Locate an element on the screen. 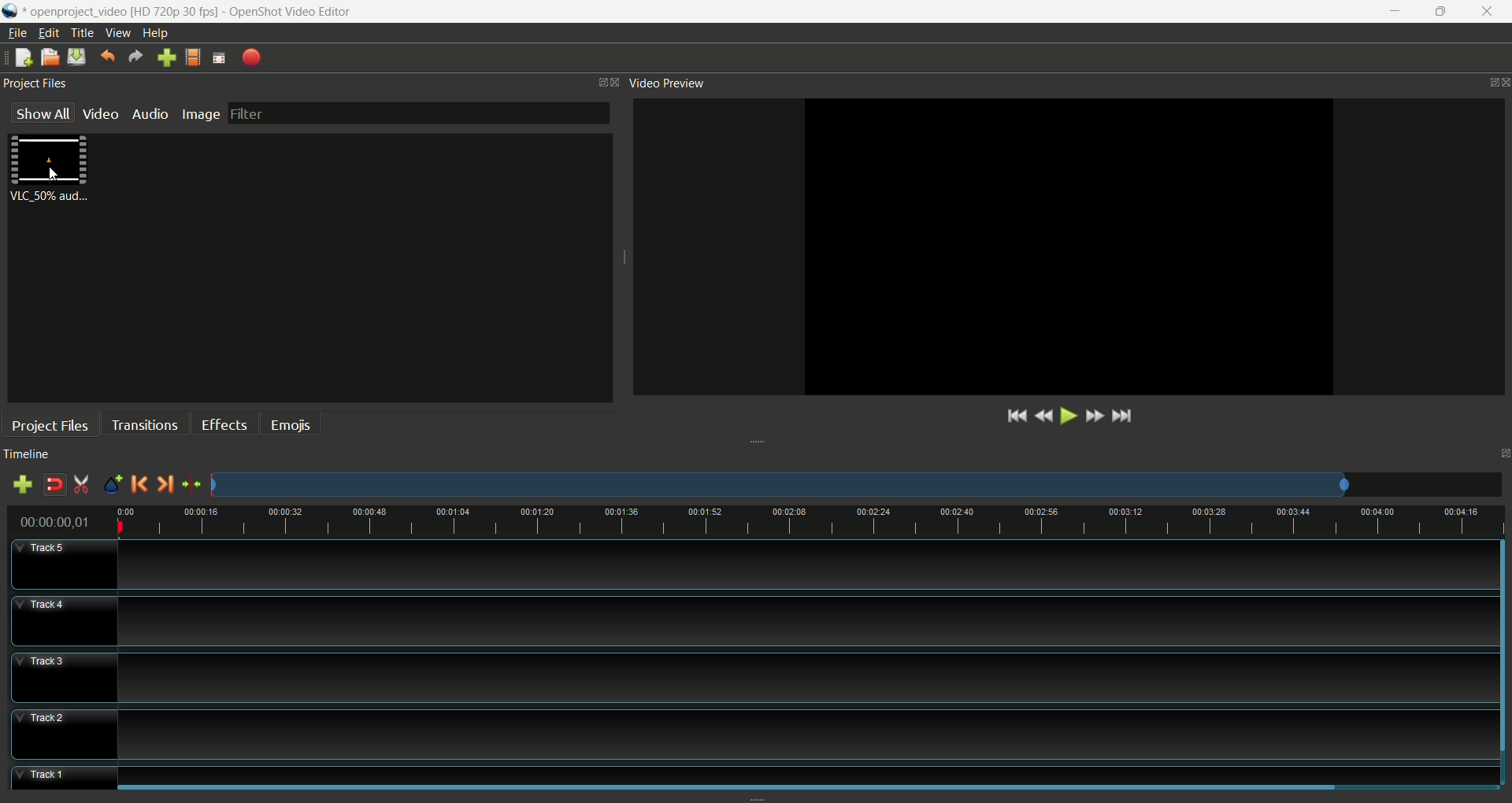 This screenshot has height=803, width=1512. video clip is located at coordinates (53, 170).